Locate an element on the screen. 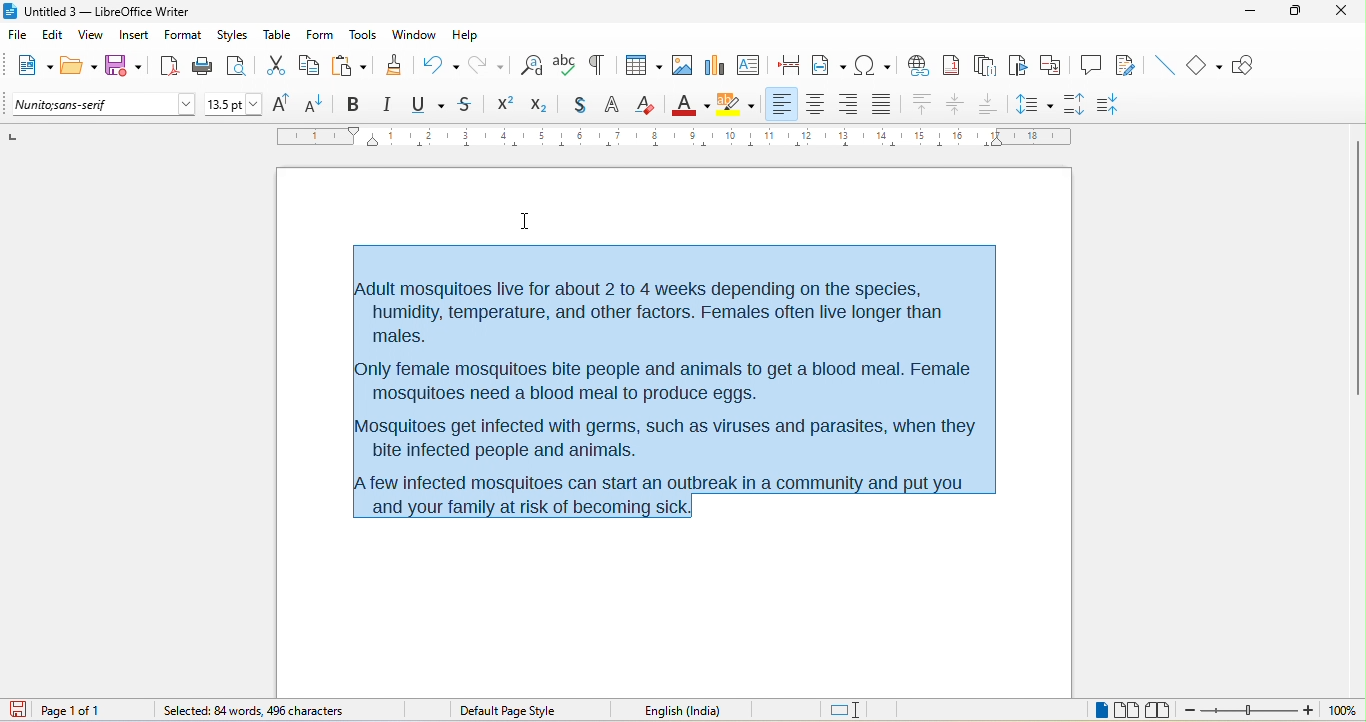 The width and height of the screenshot is (1366, 722). default page style is located at coordinates (511, 711).